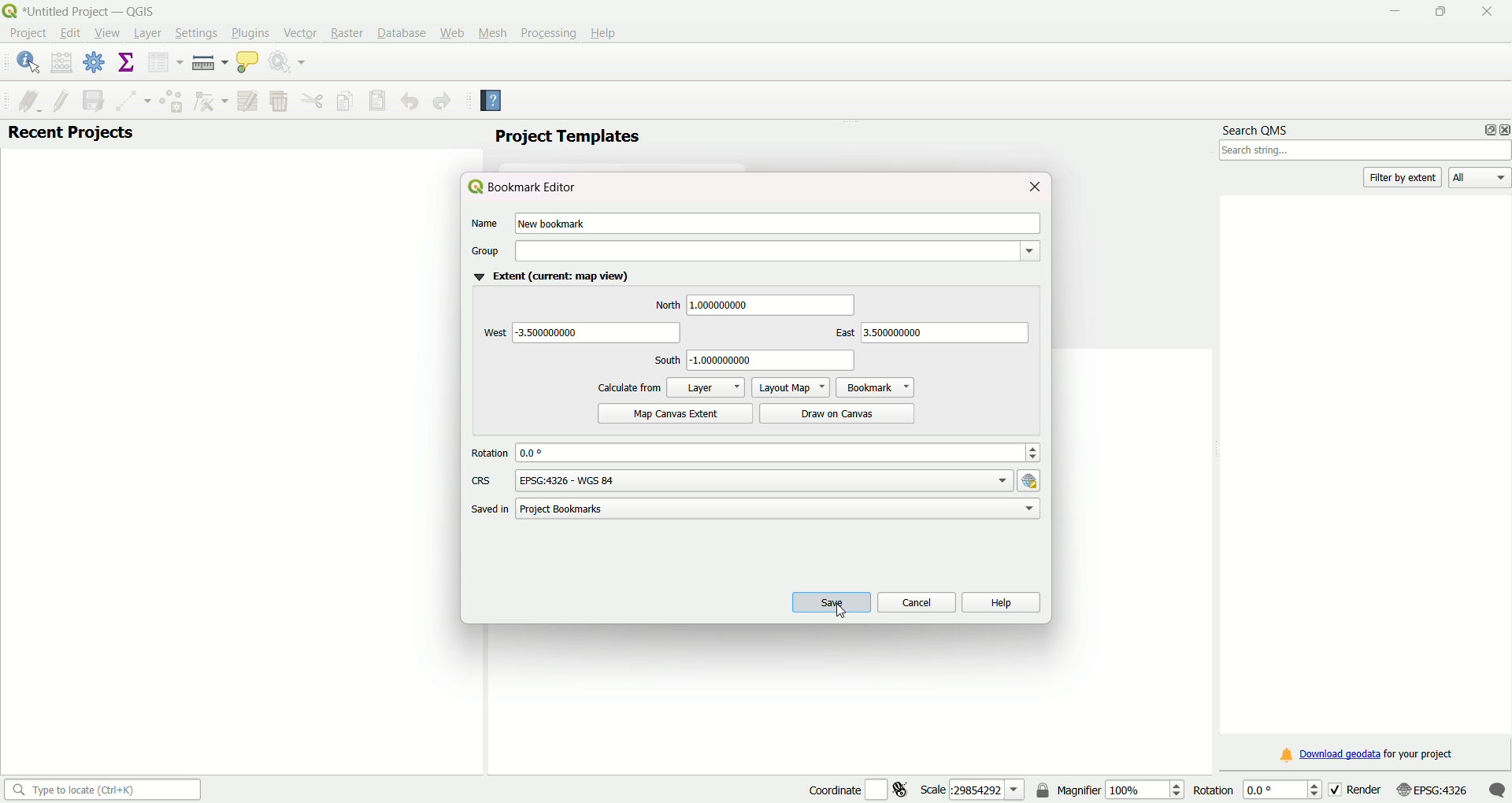  What do you see at coordinates (209, 63) in the screenshot?
I see `measure line` at bounding box center [209, 63].